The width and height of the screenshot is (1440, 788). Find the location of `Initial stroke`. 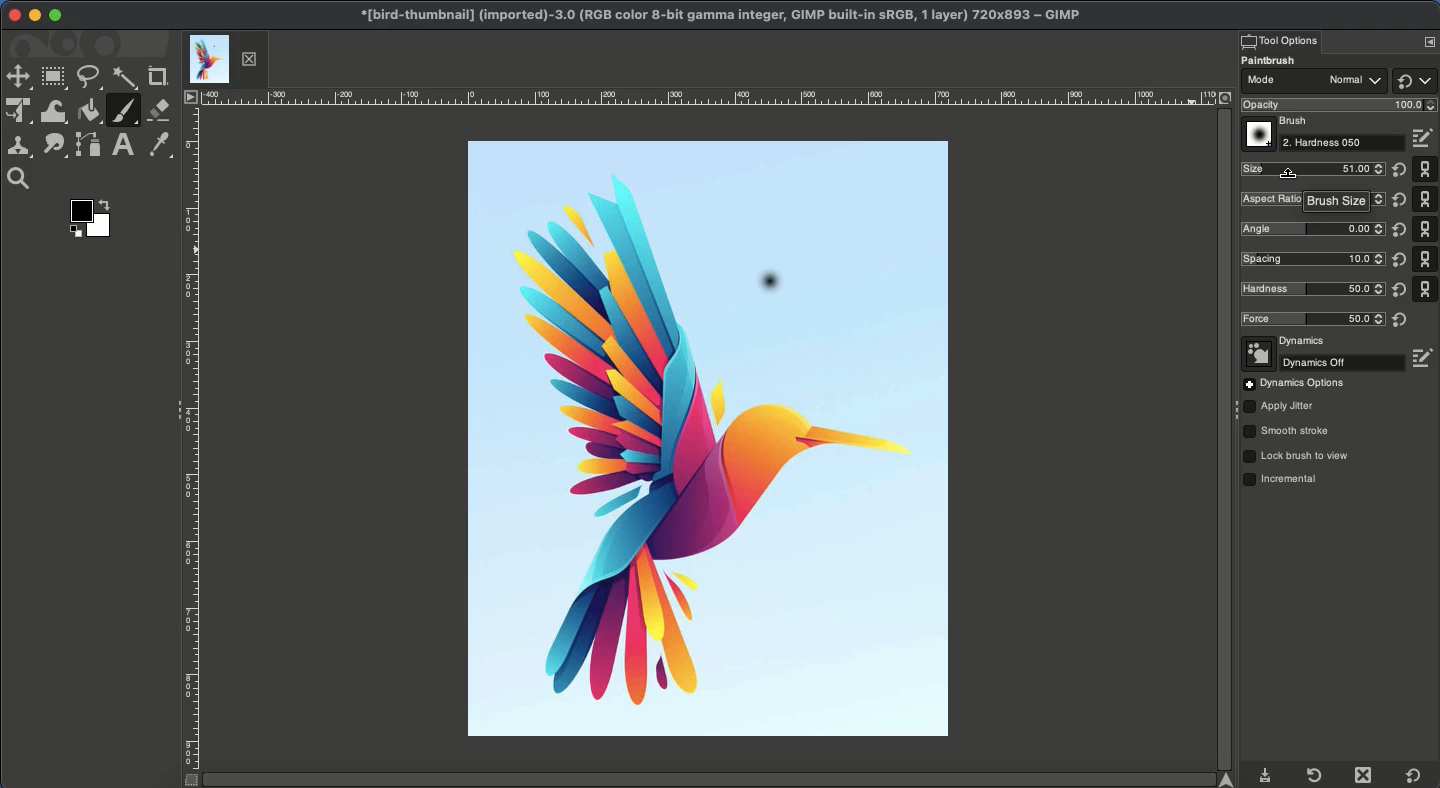

Initial stroke is located at coordinates (768, 287).